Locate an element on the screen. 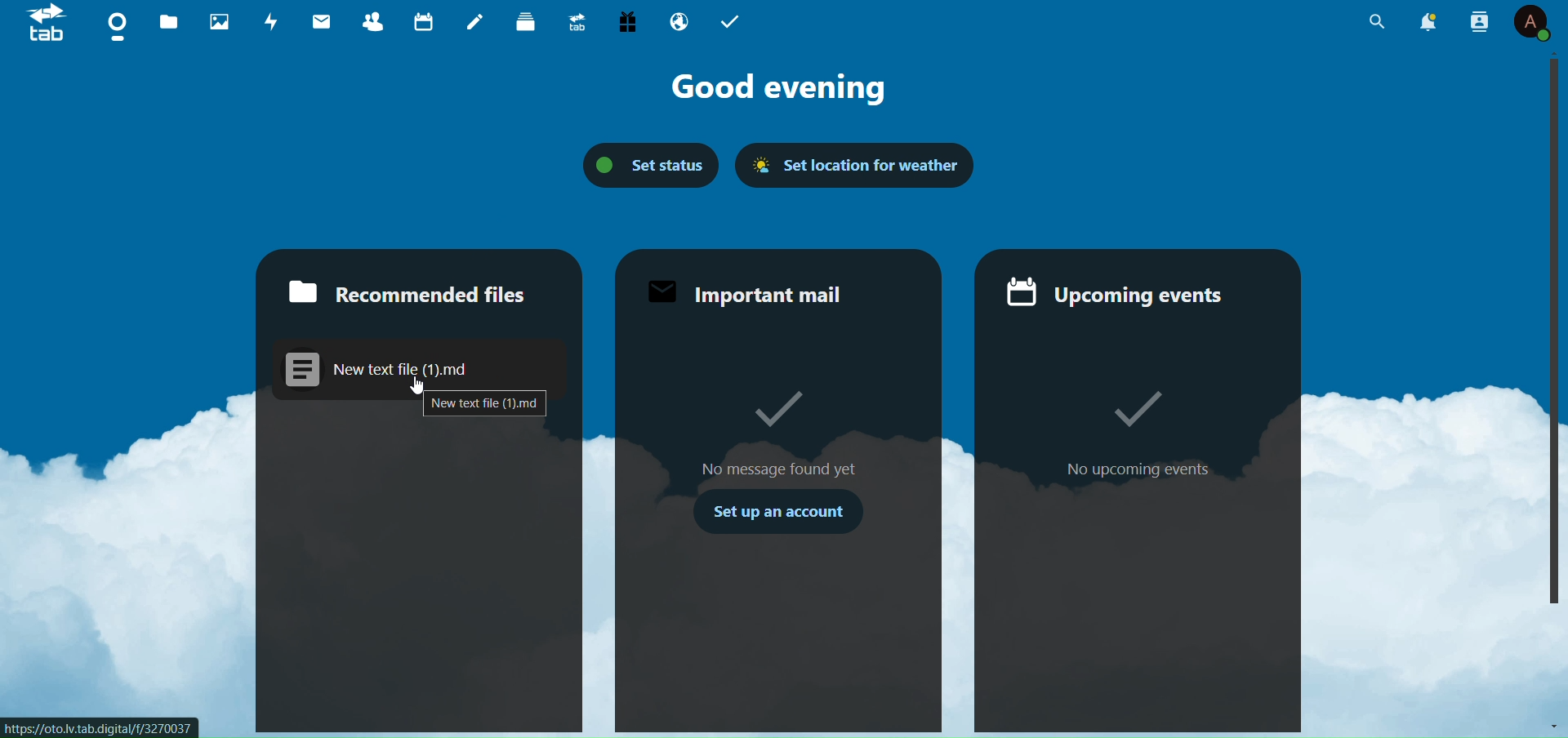  user is located at coordinates (1533, 24).